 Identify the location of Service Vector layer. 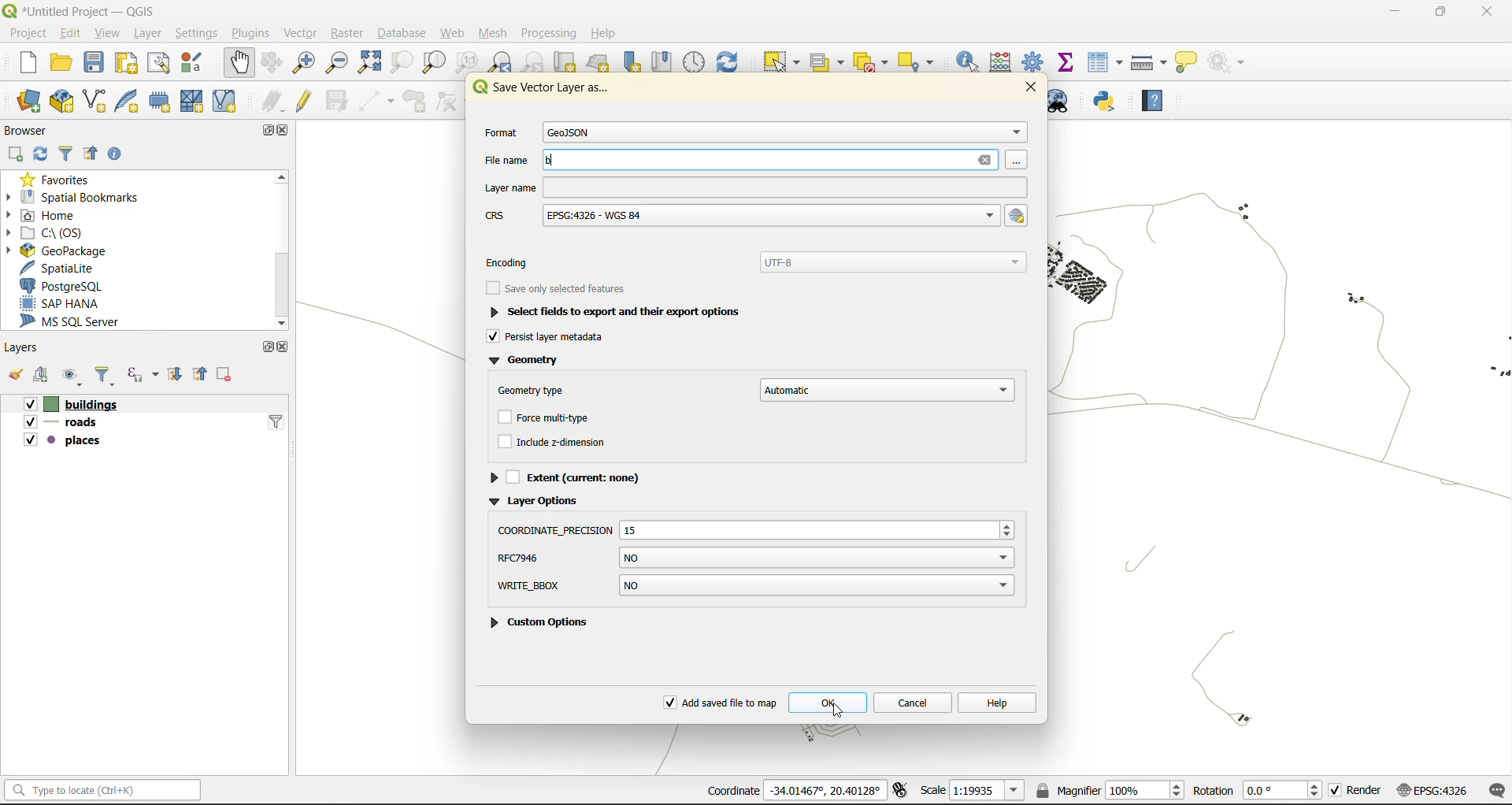
(540, 92).